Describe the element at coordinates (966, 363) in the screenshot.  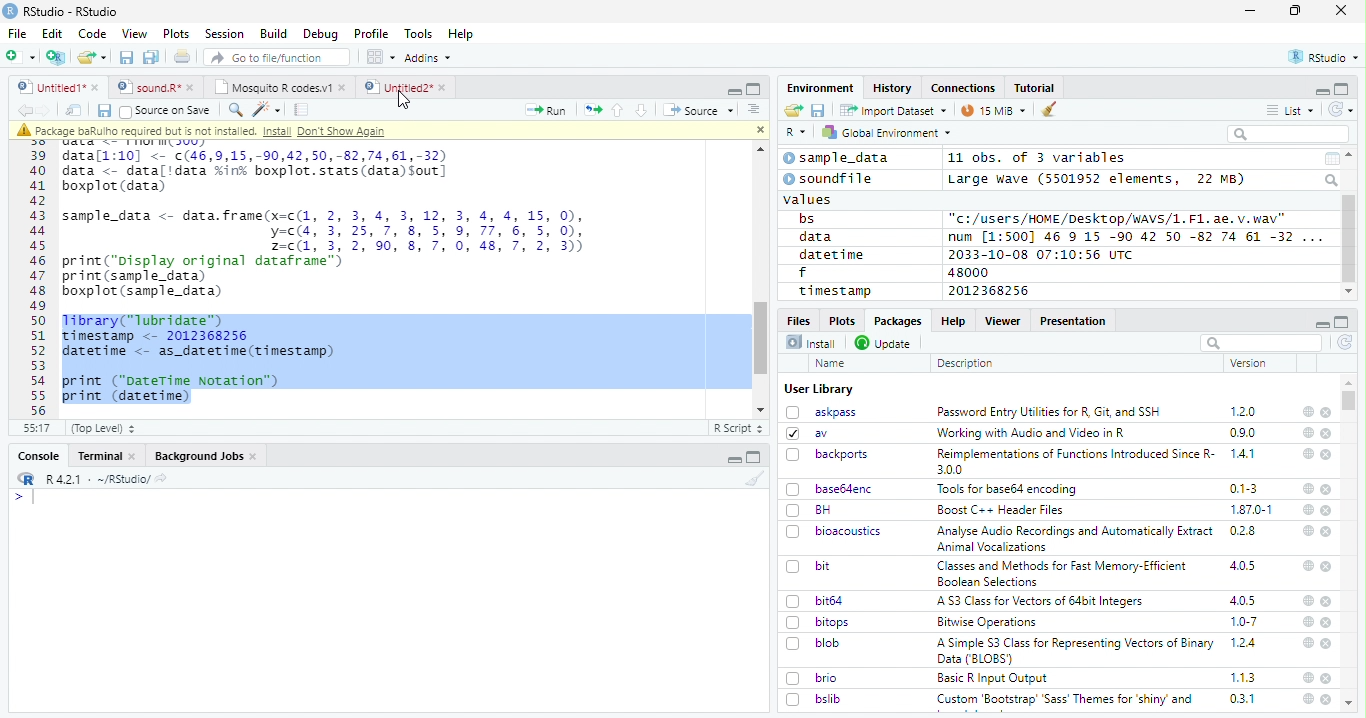
I see `Description` at that location.